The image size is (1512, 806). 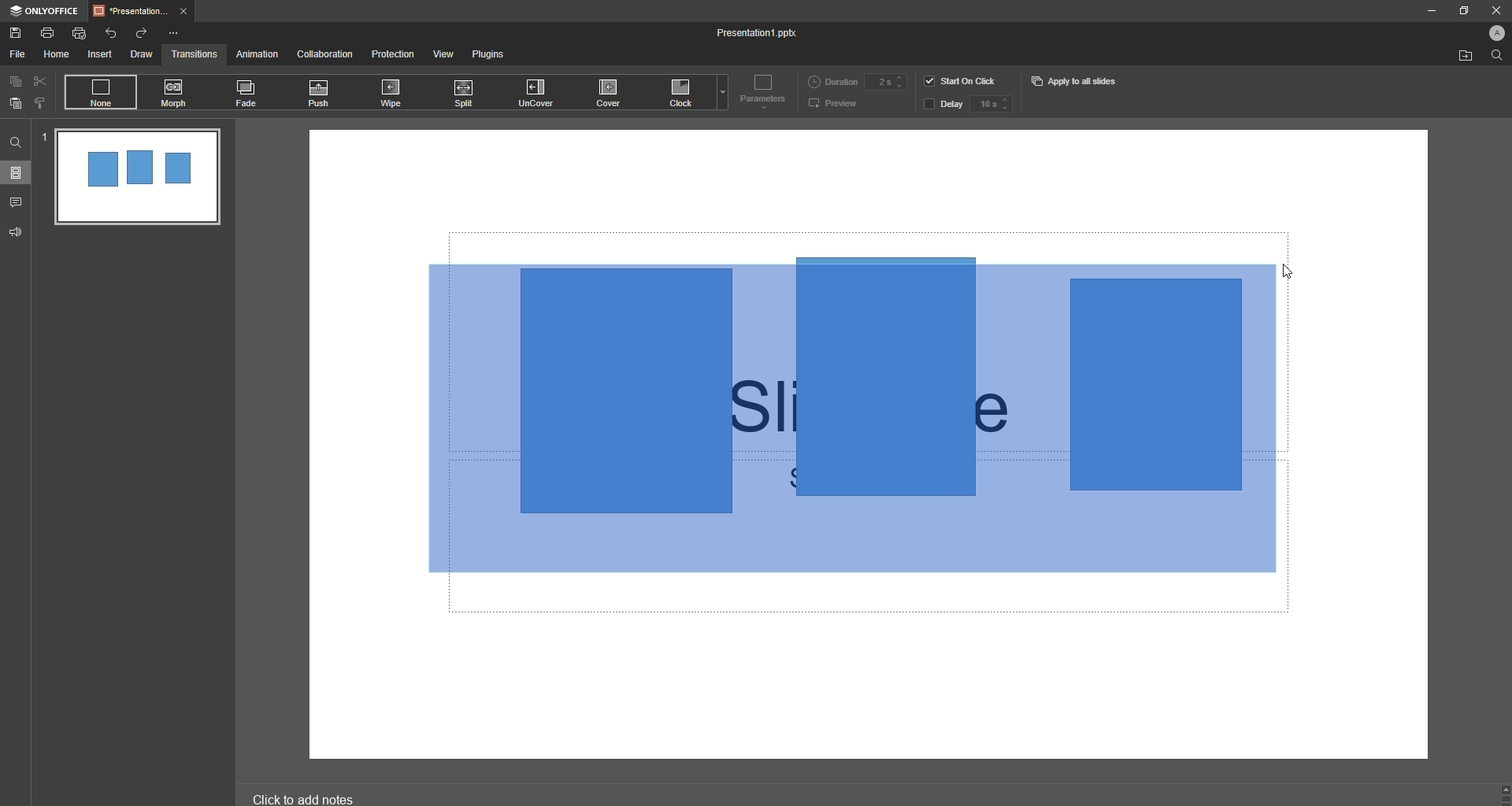 What do you see at coordinates (720, 94) in the screenshot?
I see `dropdown` at bounding box center [720, 94].